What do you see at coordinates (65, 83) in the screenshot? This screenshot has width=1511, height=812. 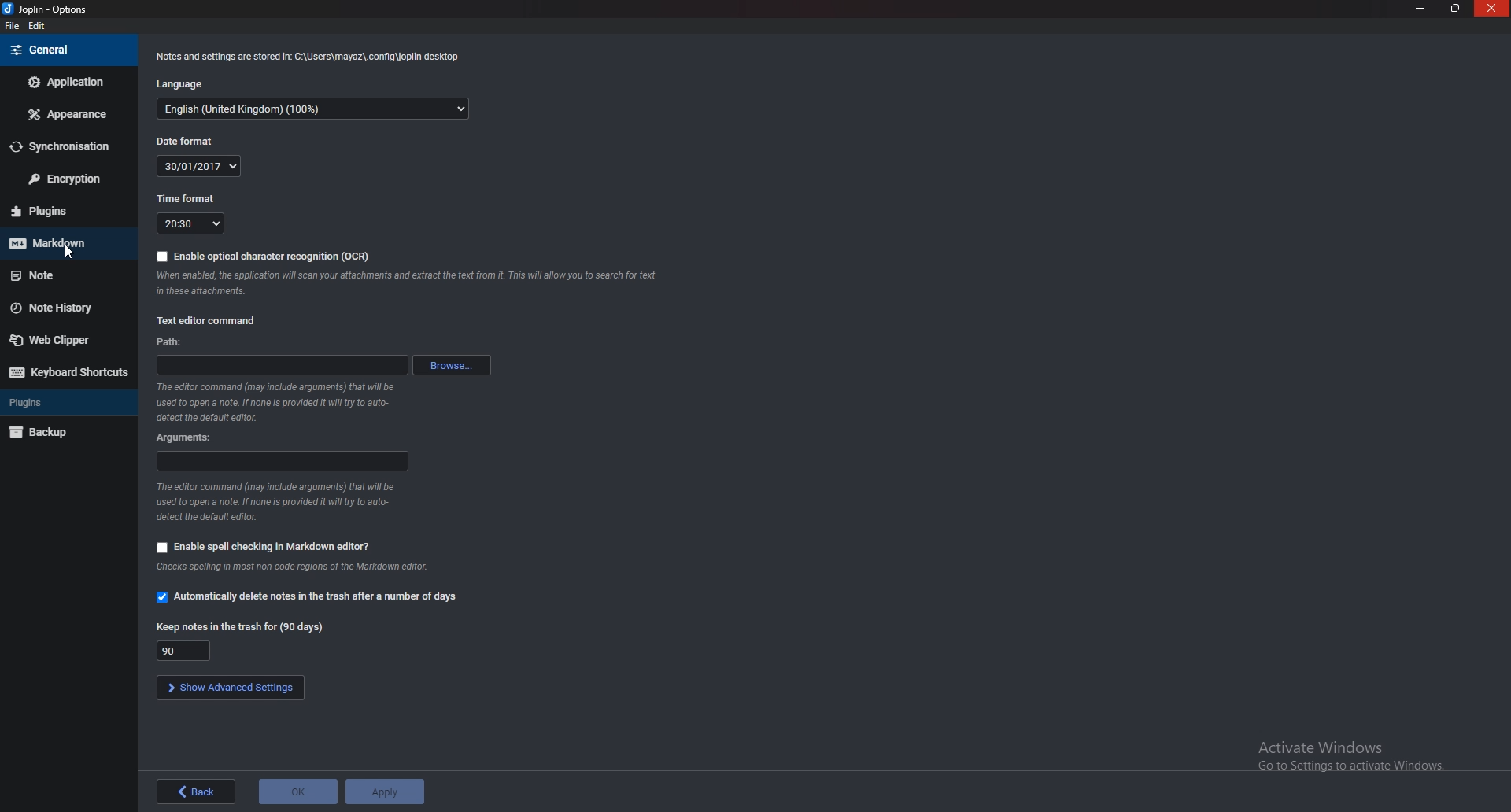 I see `Application` at bounding box center [65, 83].